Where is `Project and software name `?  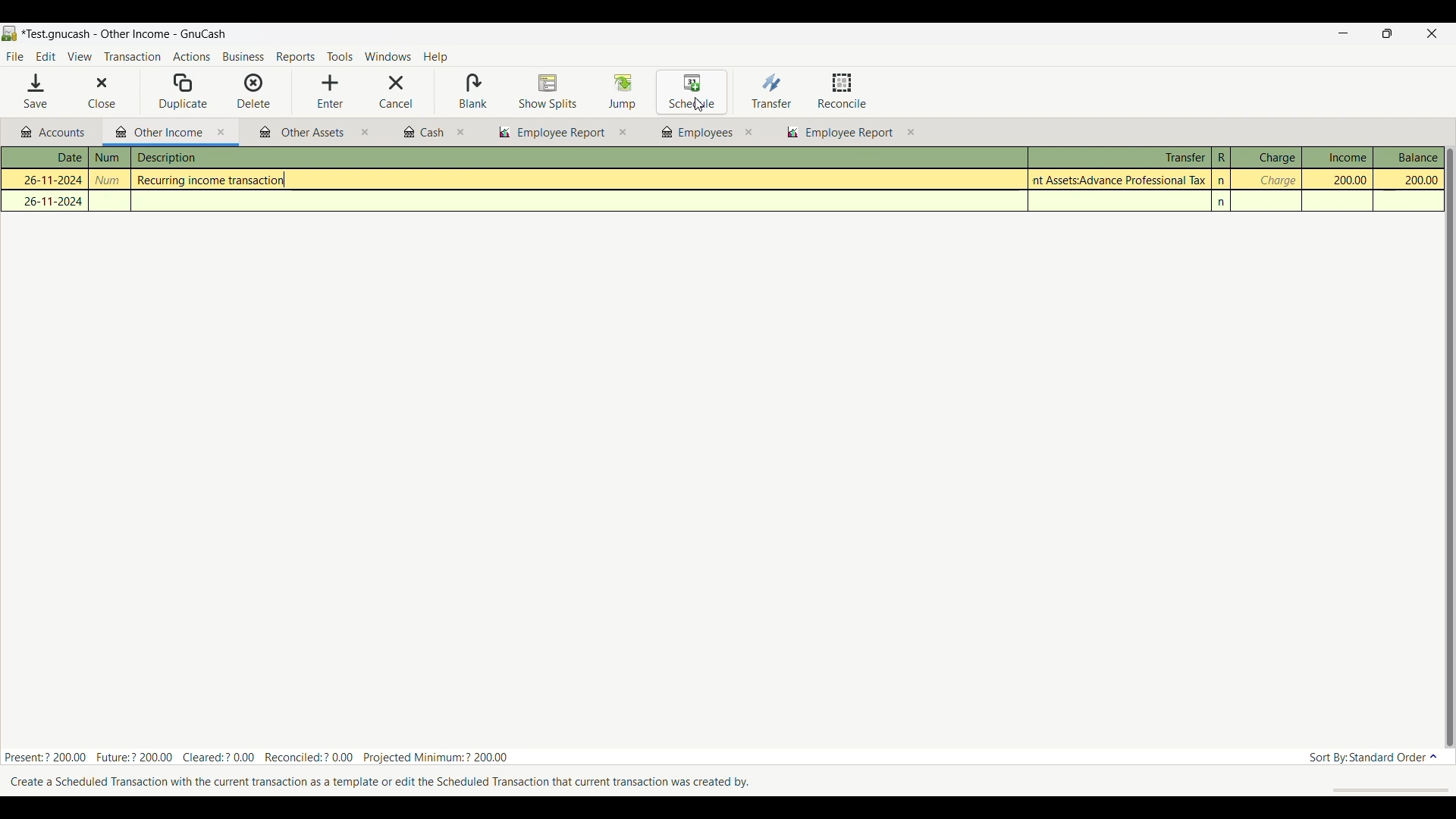
Project and software name  is located at coordinates (124, 35).